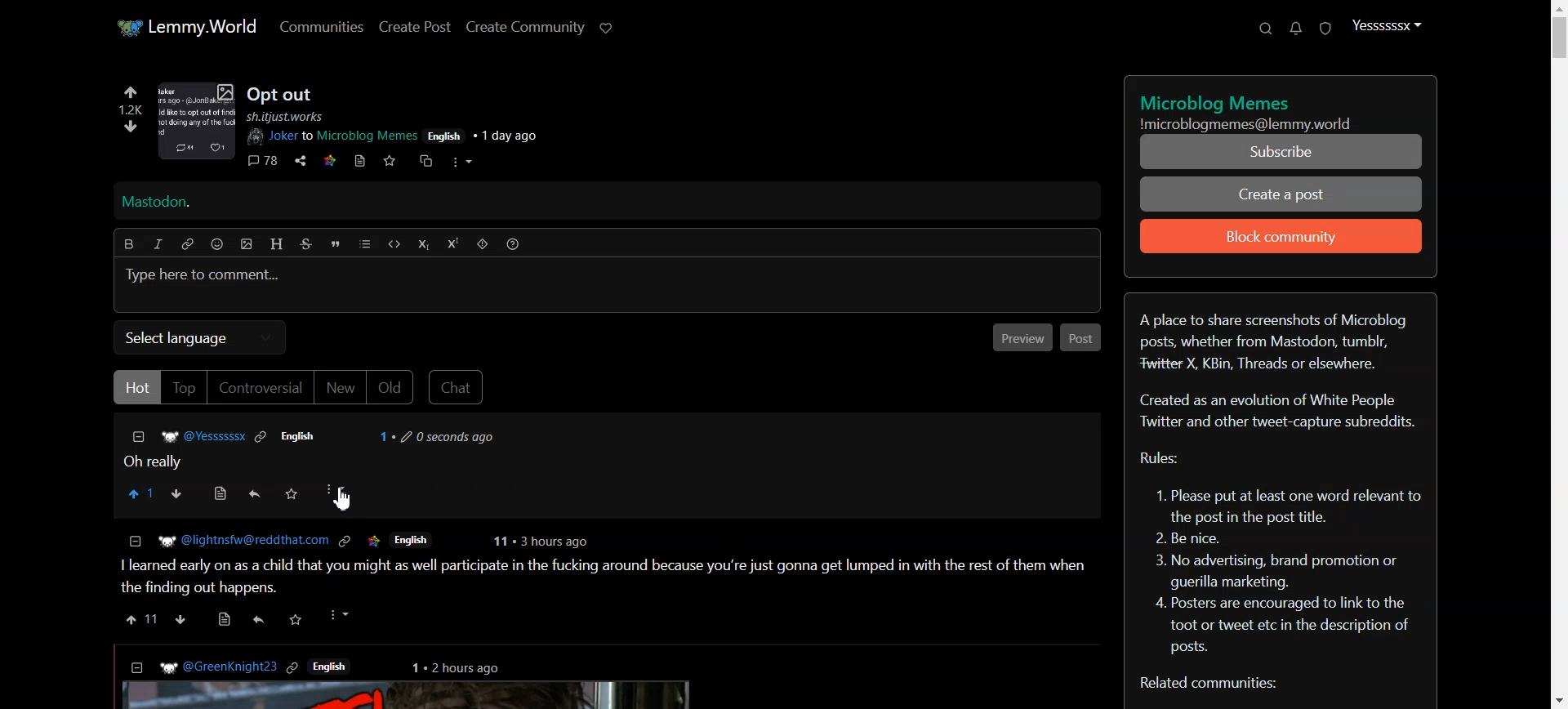  What do you see at coordinates (260, 621) in the screenshot?
I see `reply` at bounding box center [260, 621].